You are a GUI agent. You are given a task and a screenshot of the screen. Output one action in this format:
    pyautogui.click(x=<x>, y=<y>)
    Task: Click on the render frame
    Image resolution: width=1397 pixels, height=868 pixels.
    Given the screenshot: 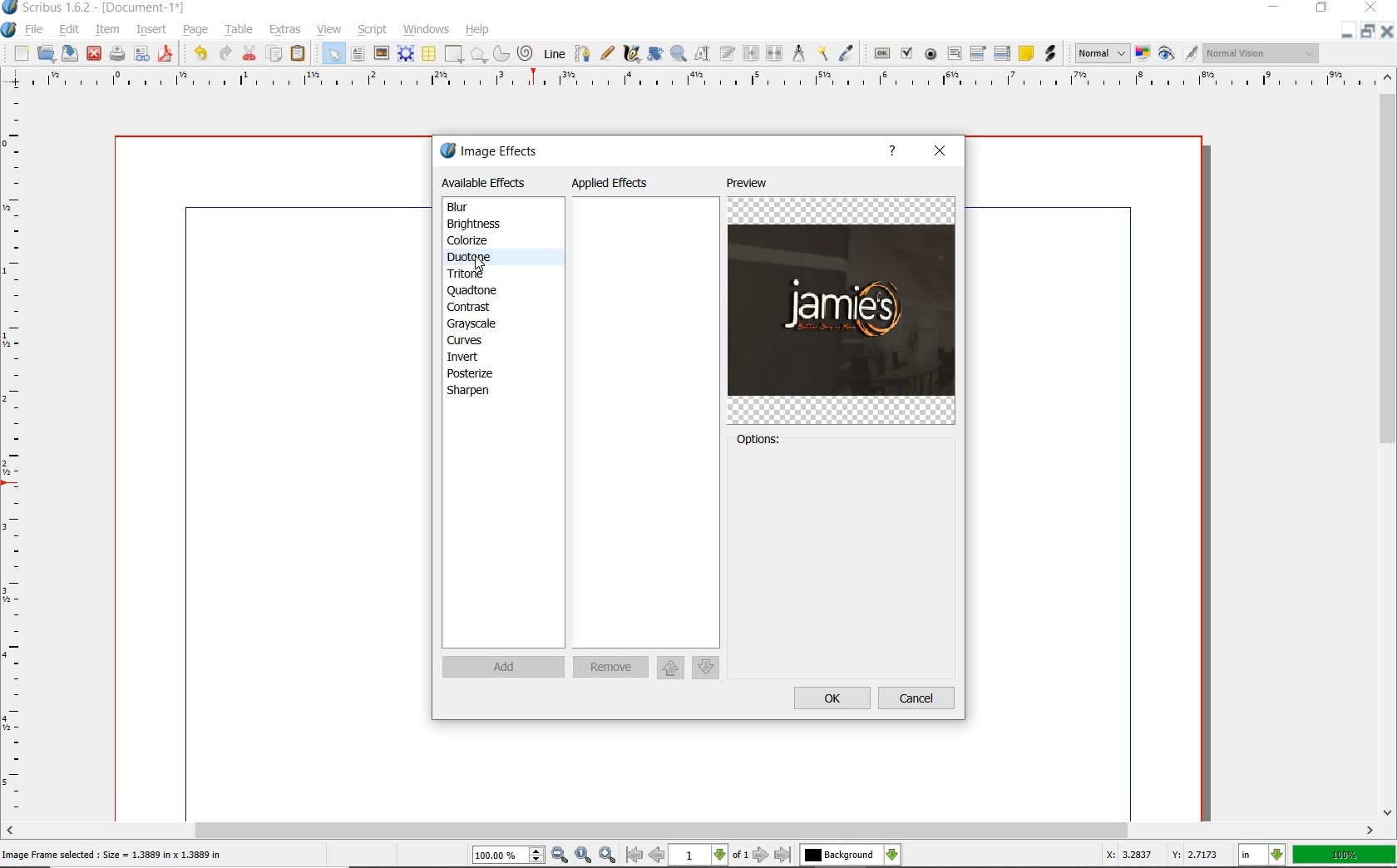 What is the action you would take?
    pyautogui.click(x=405, y=54)
    